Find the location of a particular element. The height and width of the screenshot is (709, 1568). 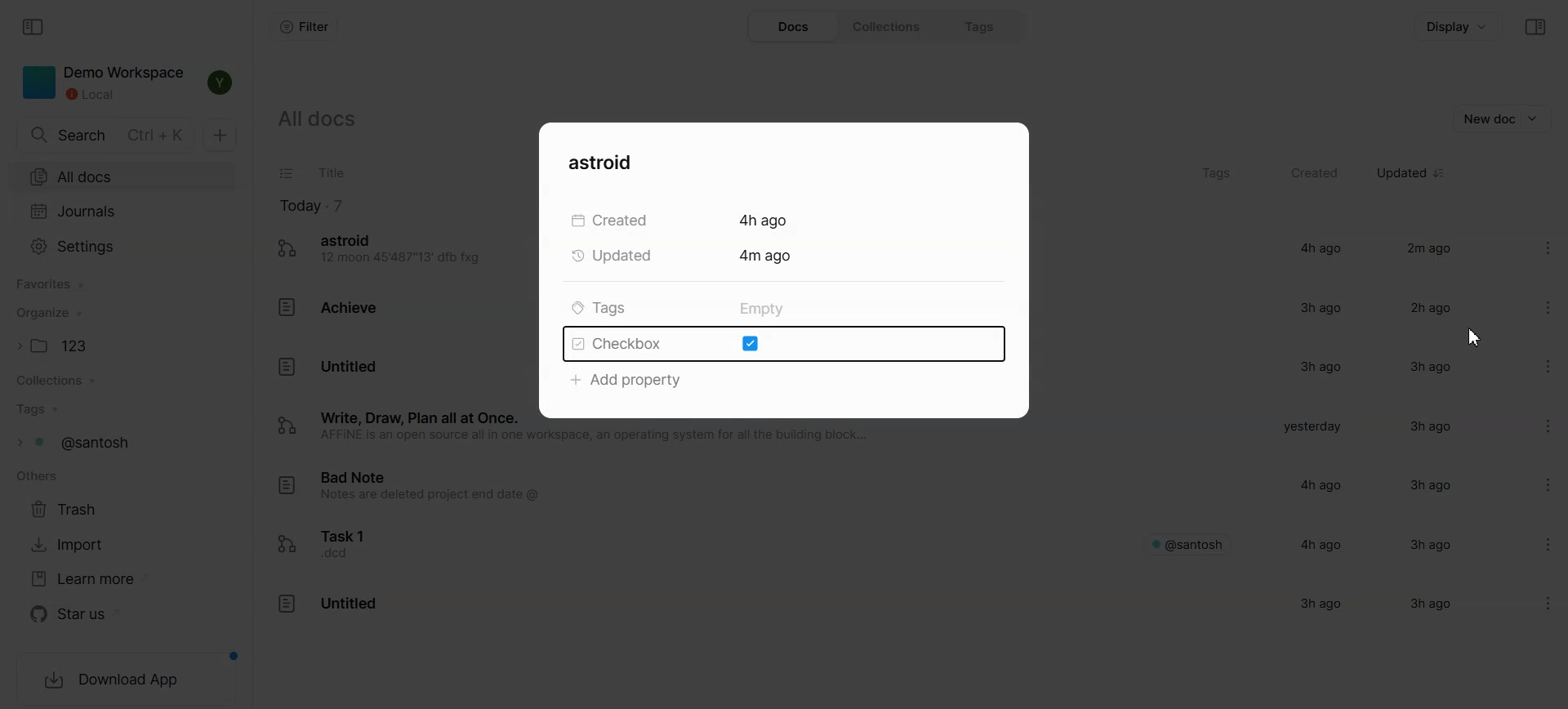

Folder is located at coordinates (123, 345).